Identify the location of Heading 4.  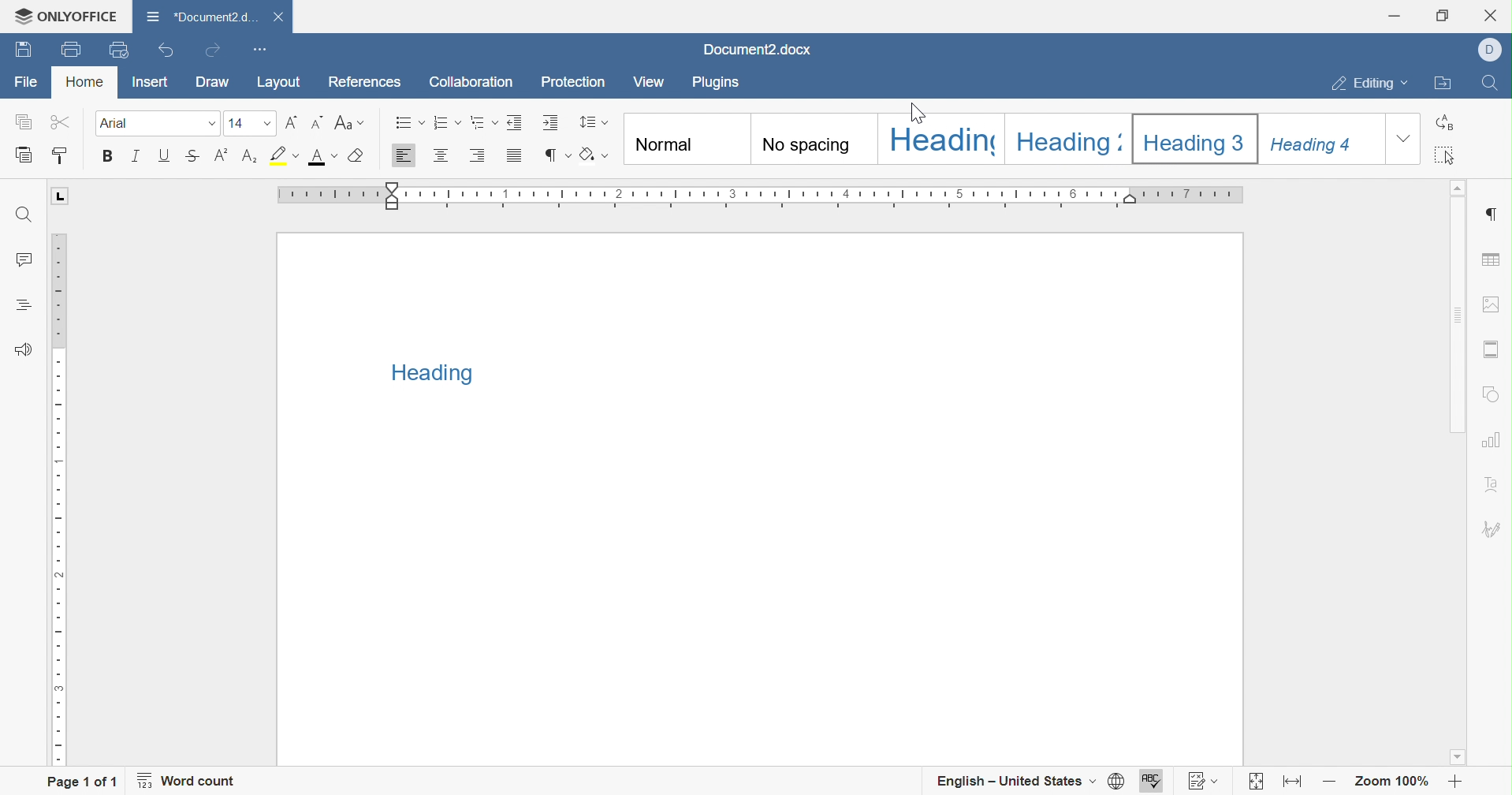
(1323, 137).